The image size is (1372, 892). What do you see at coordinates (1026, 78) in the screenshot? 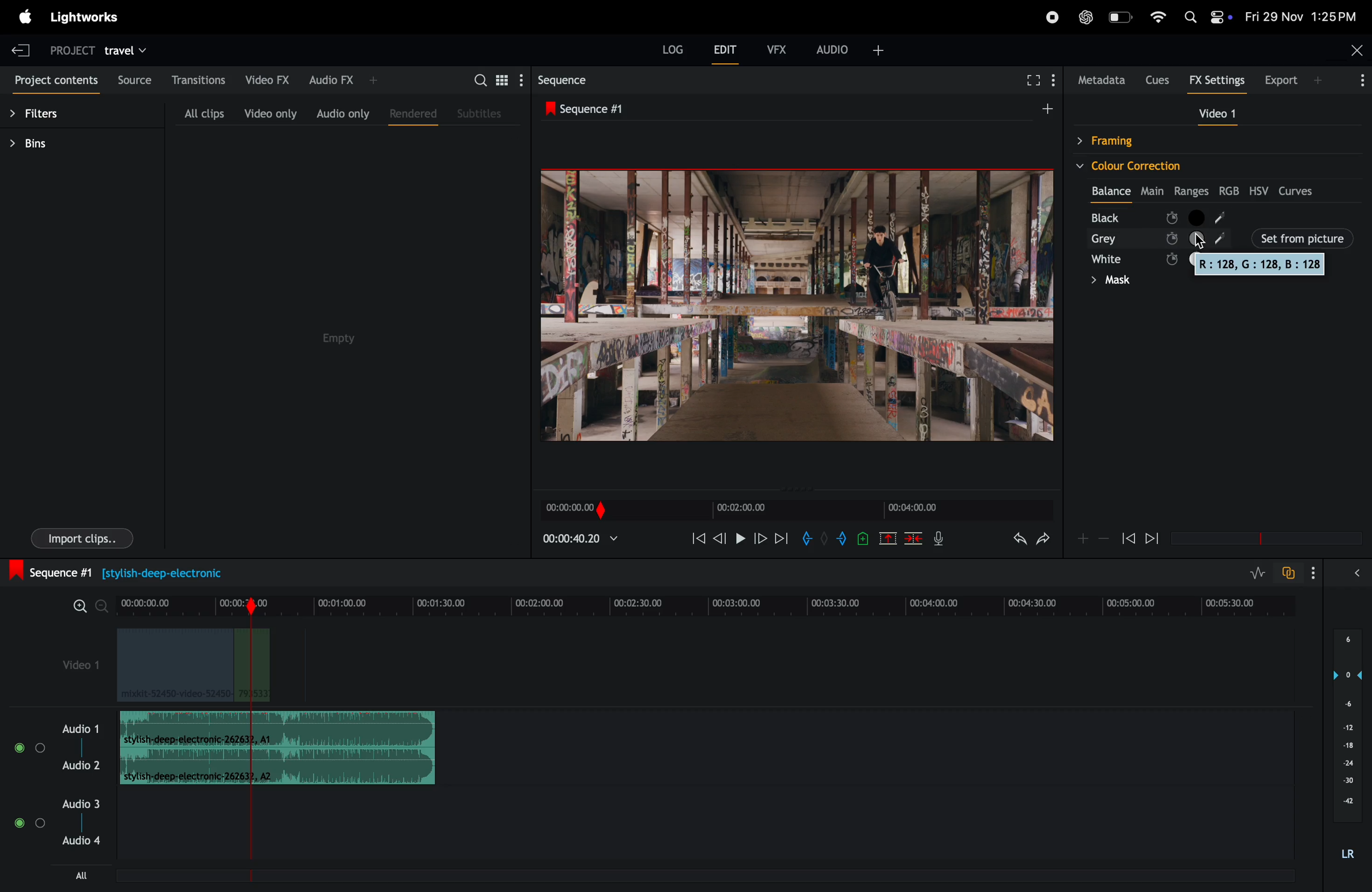
I see `fullscreen` at bounding box center [1026, 78].